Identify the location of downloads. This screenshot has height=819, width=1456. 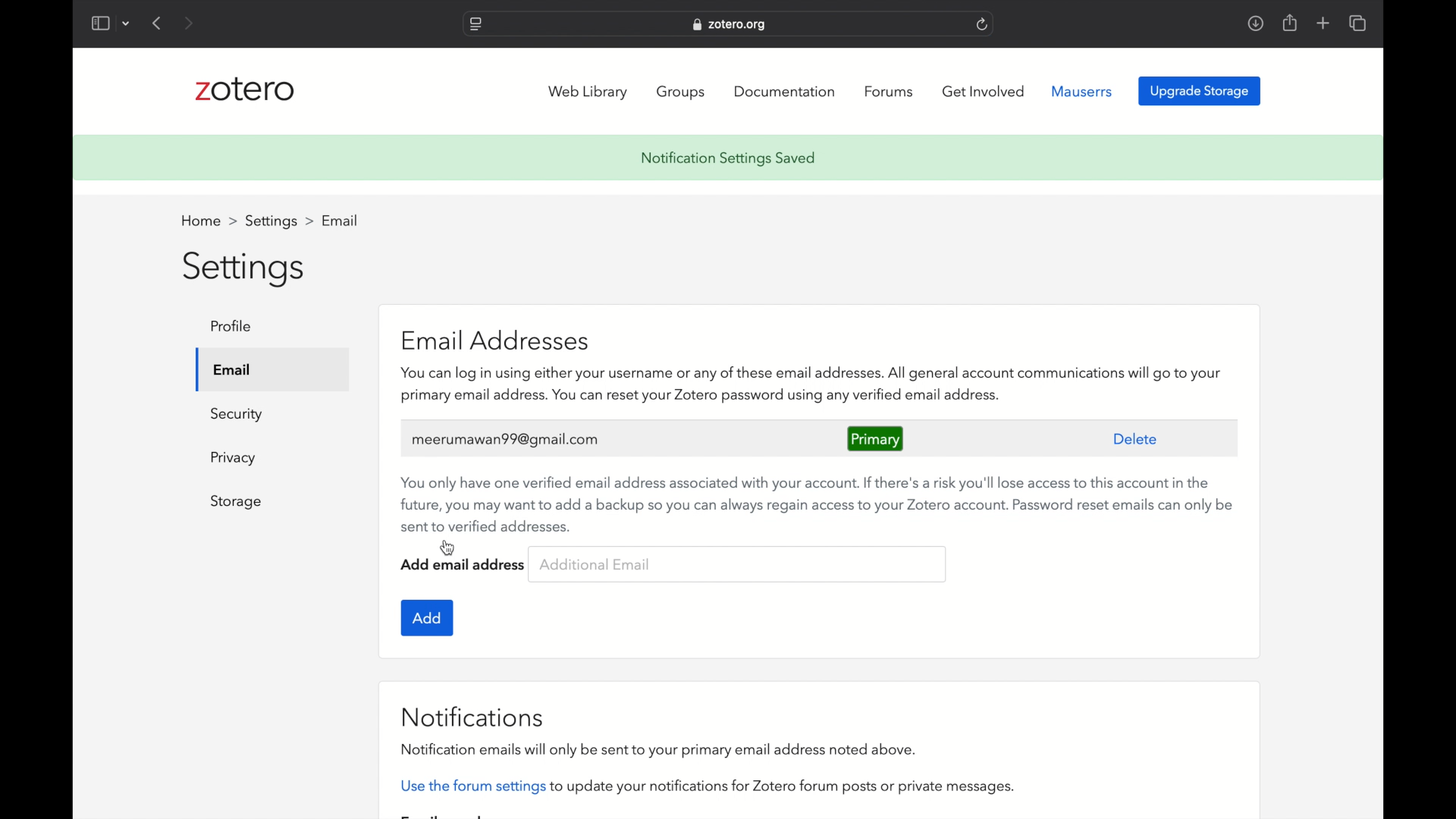
(1255, 23).